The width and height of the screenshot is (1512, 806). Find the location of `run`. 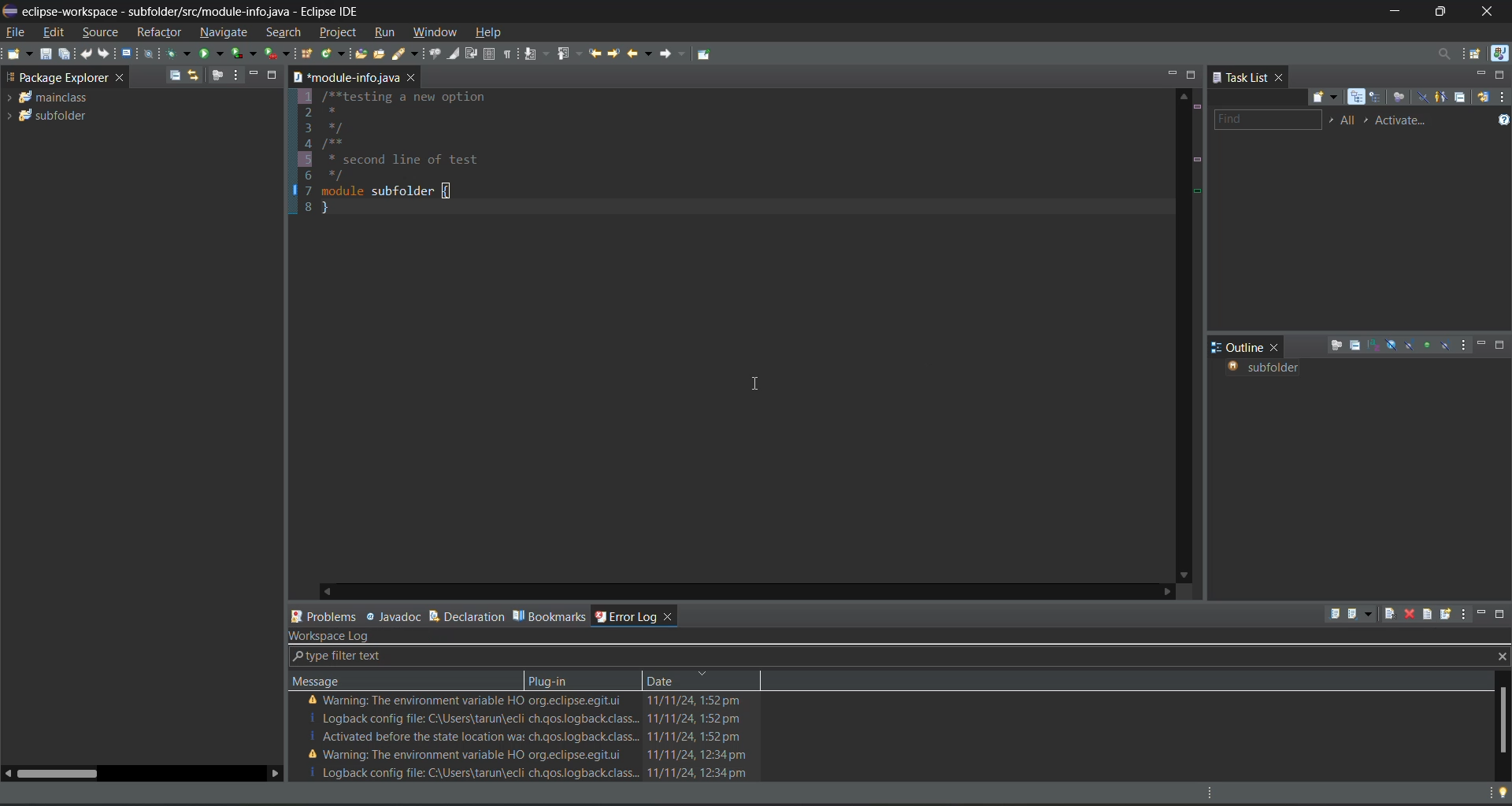

run is located at coordinates (212, 53).